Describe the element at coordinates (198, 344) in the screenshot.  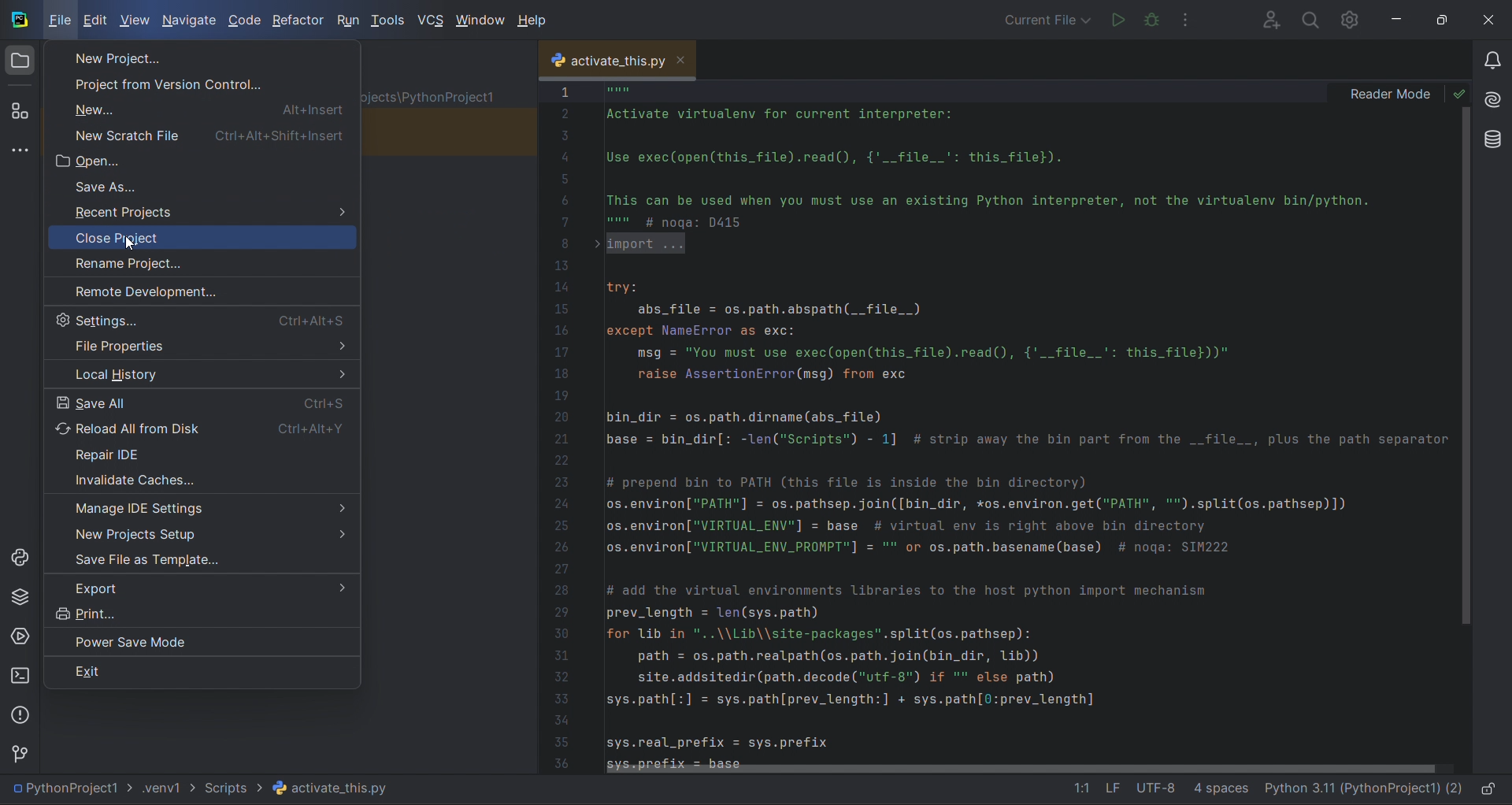
I see `file properties` at that location.